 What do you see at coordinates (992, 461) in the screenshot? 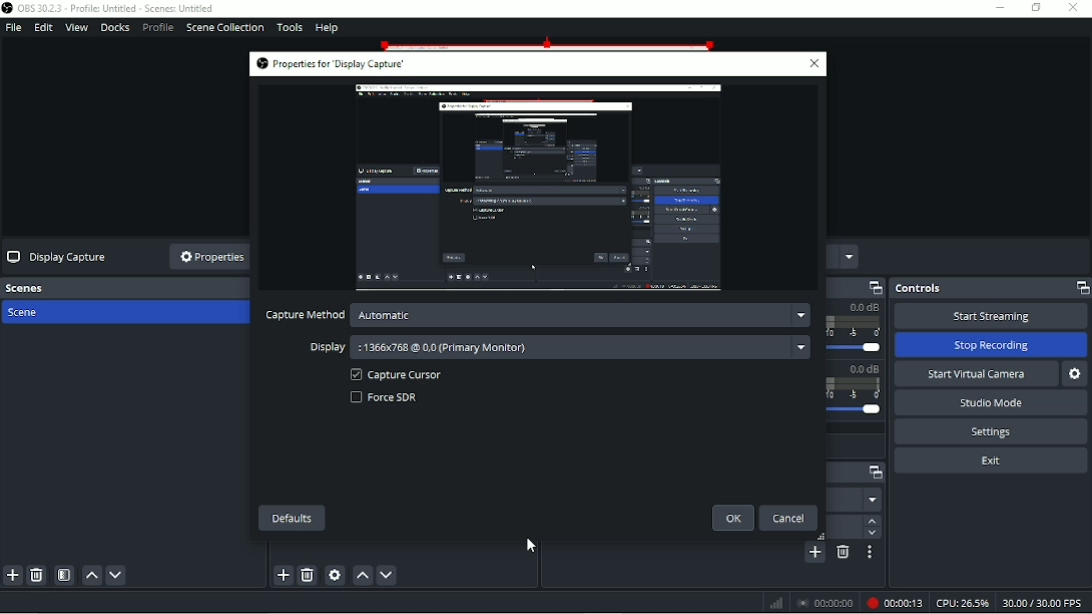
I see `Exit` at bounding box center [992, 461].